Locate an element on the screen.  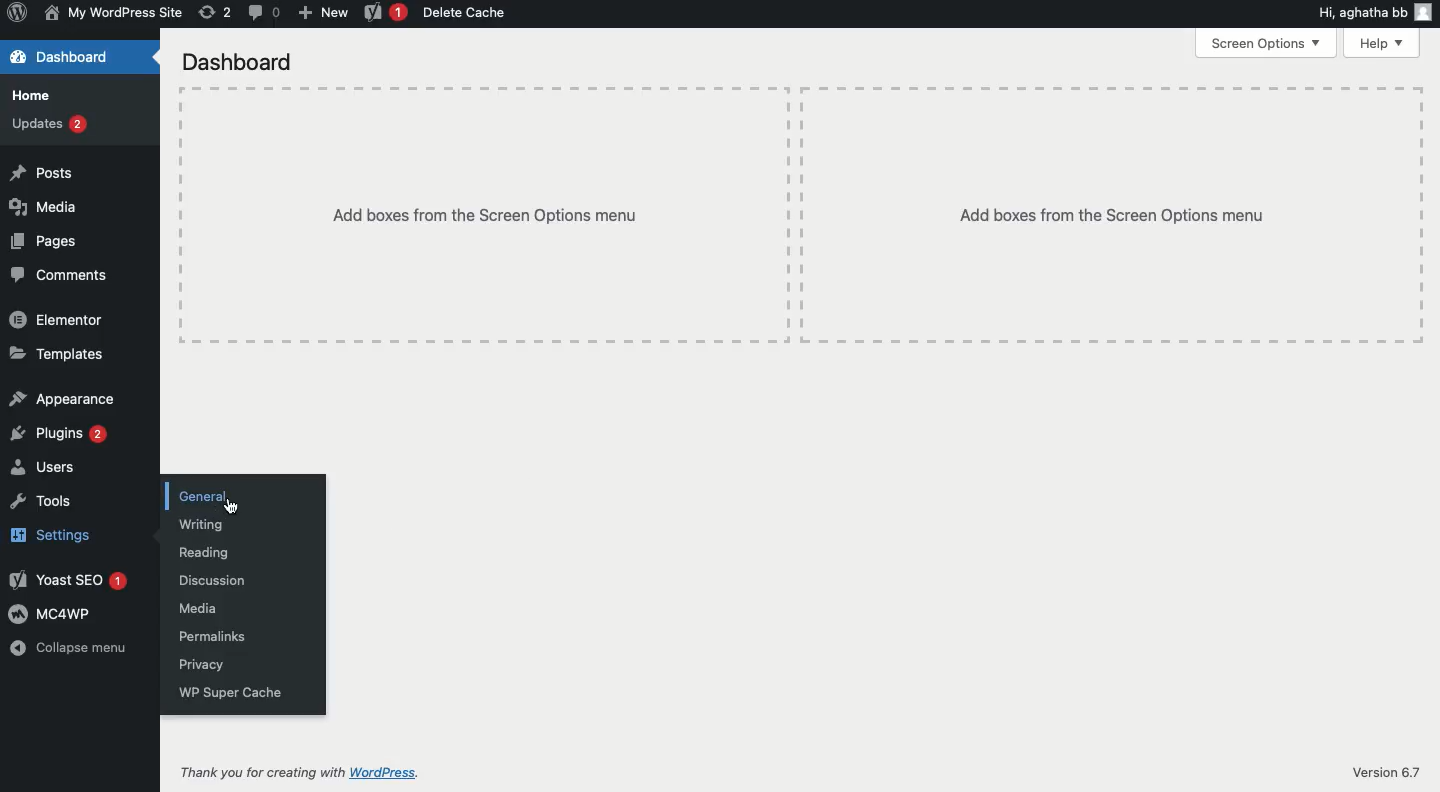
My wordpress Site is located at coordinates (111, 12).